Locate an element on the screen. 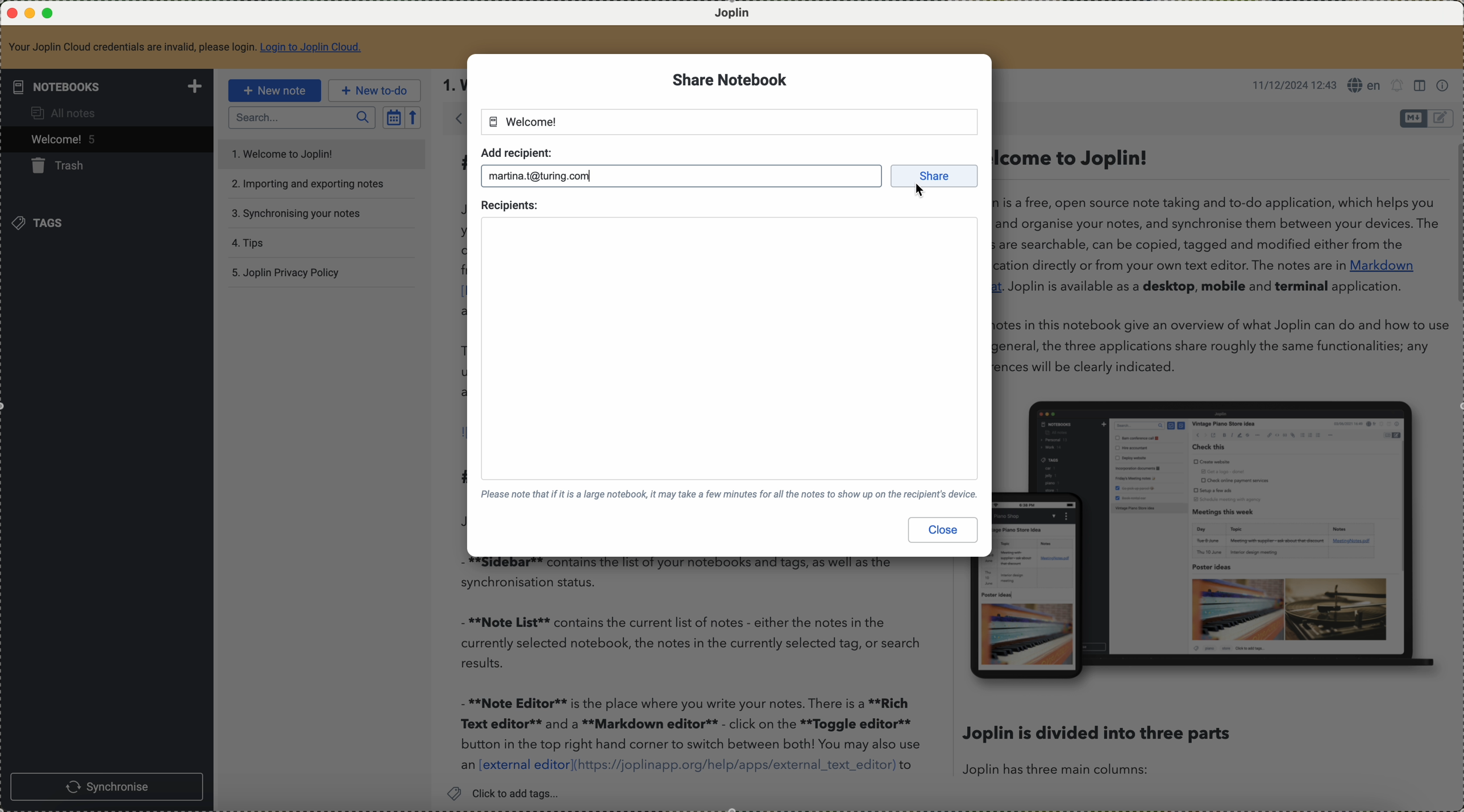 This screenshot has height=812, width=1464. new to-do is located at coordinates (375, 90).